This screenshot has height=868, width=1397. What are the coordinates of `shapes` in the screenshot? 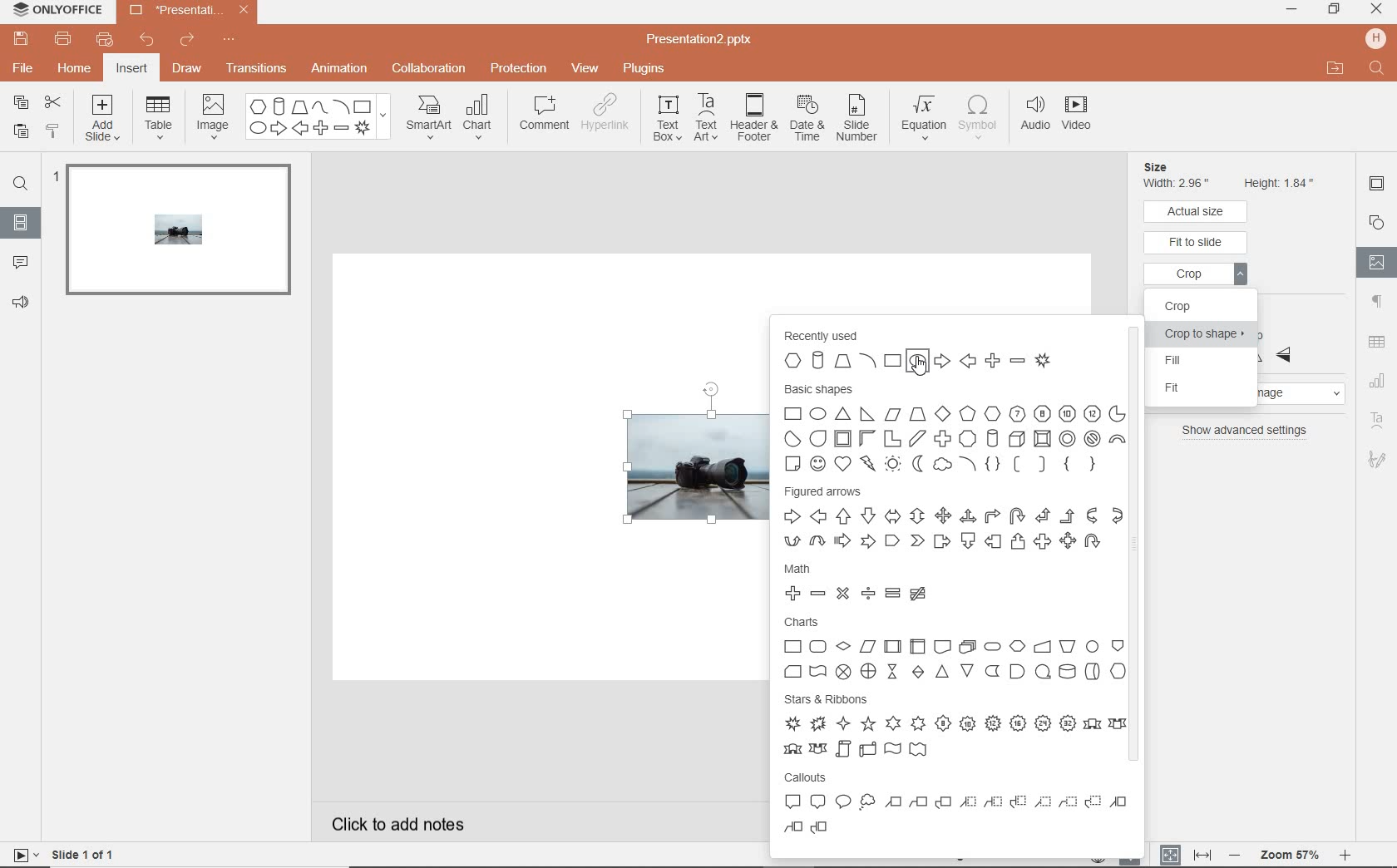 It's located at (316, 117).